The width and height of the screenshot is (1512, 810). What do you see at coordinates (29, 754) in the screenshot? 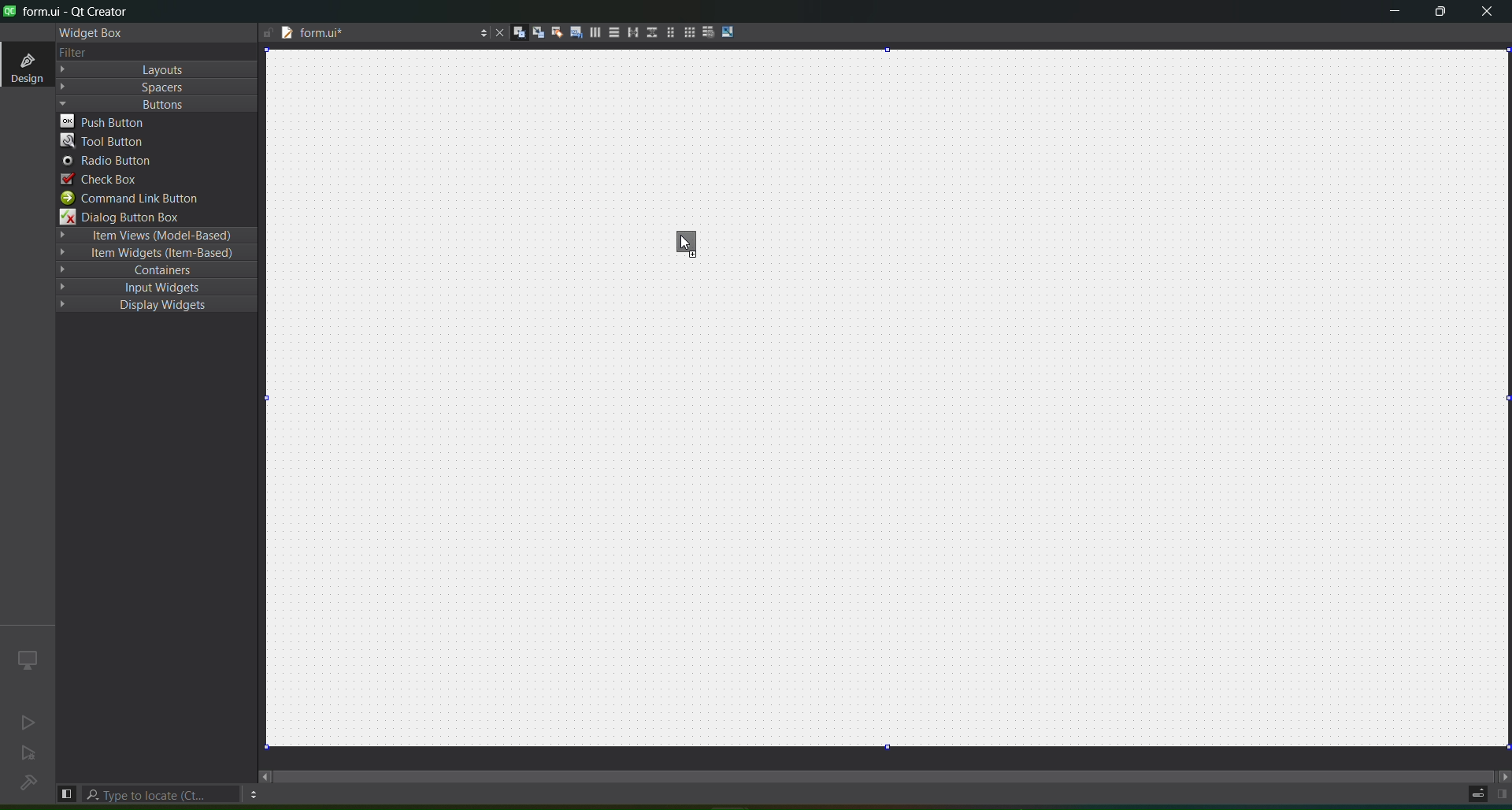
I see `no active project` at bounding box center [29, 754].